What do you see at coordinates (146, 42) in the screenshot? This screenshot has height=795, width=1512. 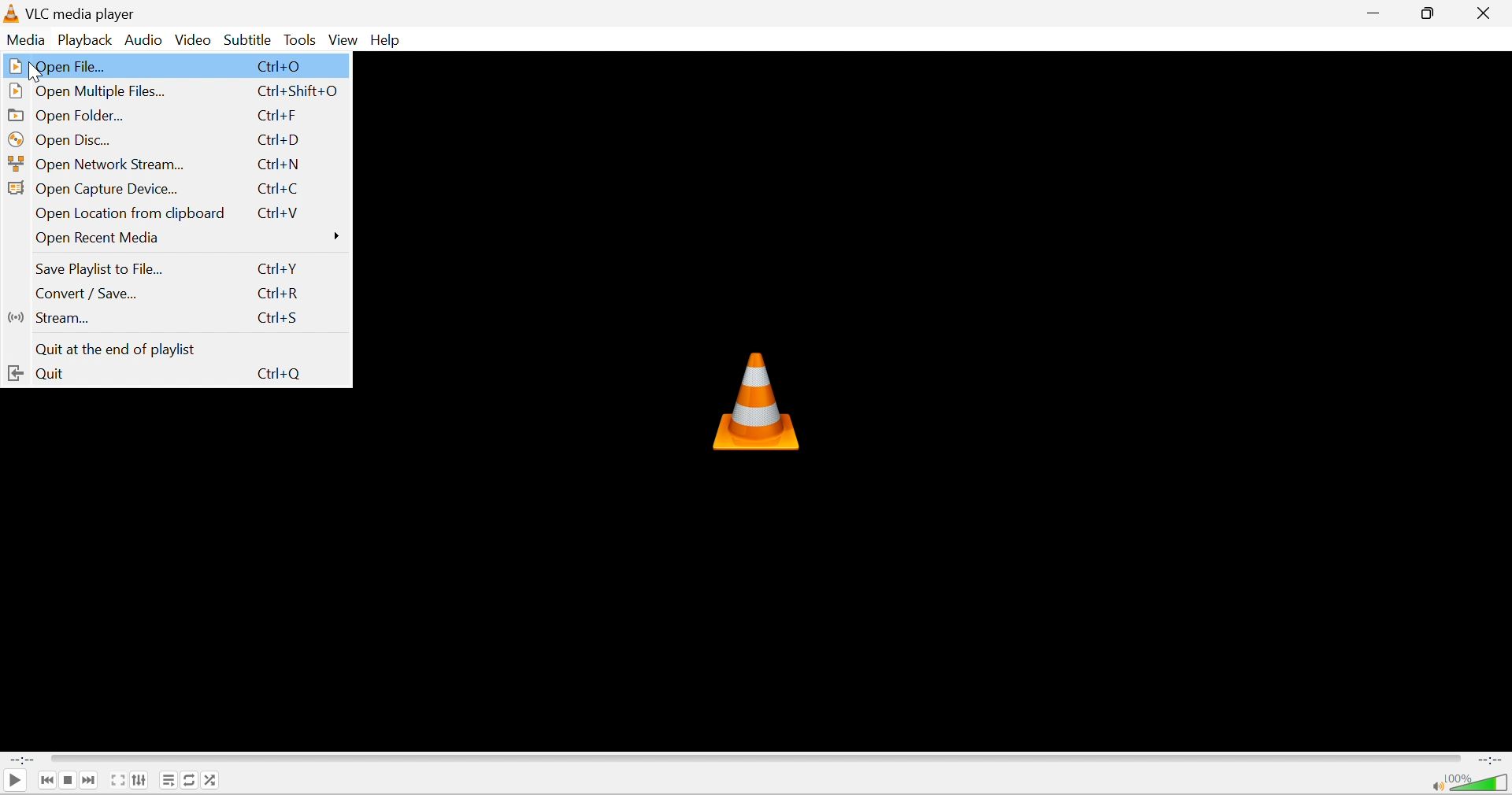 I see `Audio` at bounding box center [146, 42].